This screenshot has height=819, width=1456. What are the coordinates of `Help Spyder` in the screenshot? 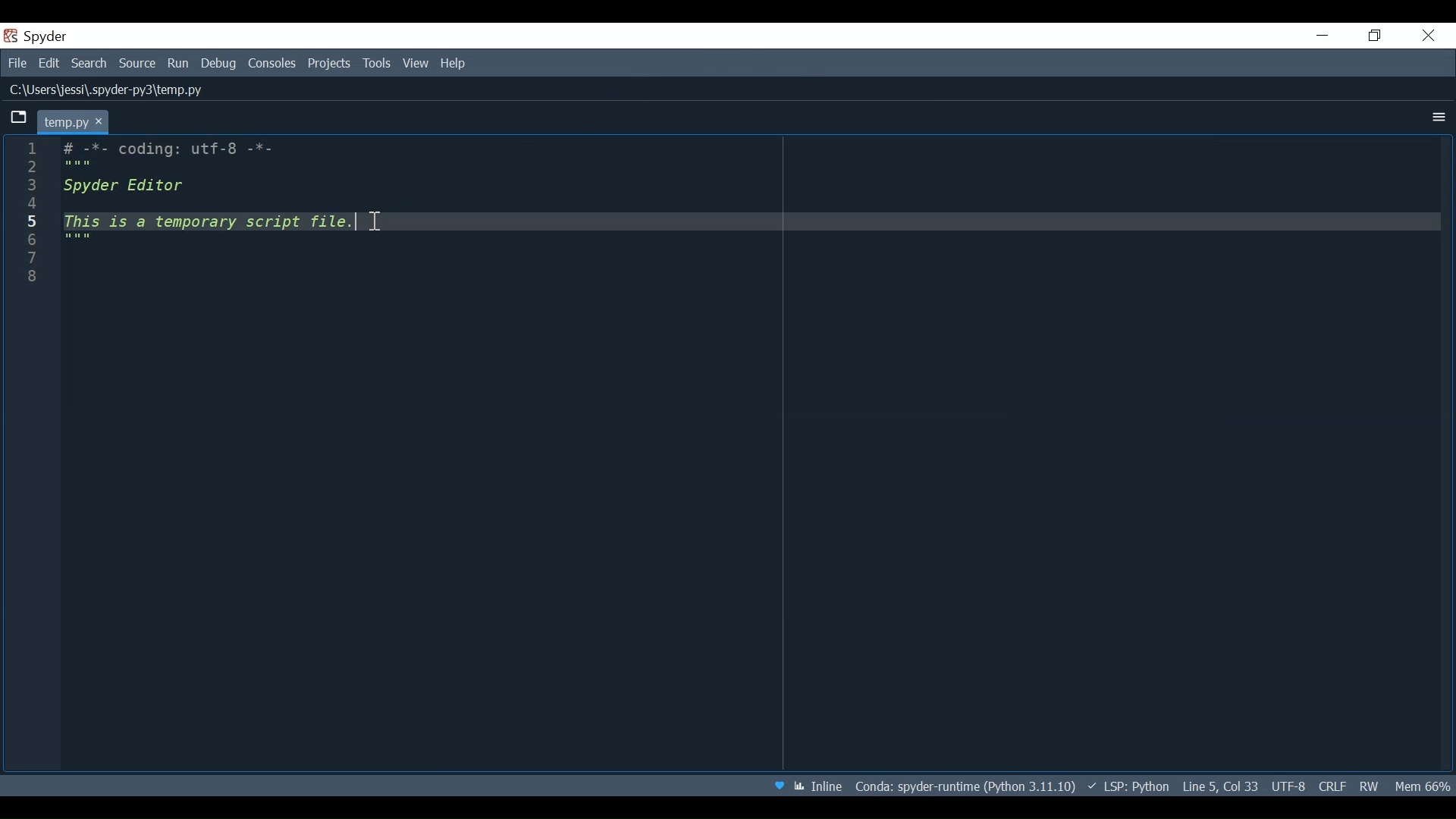 It's located at (777, 786).